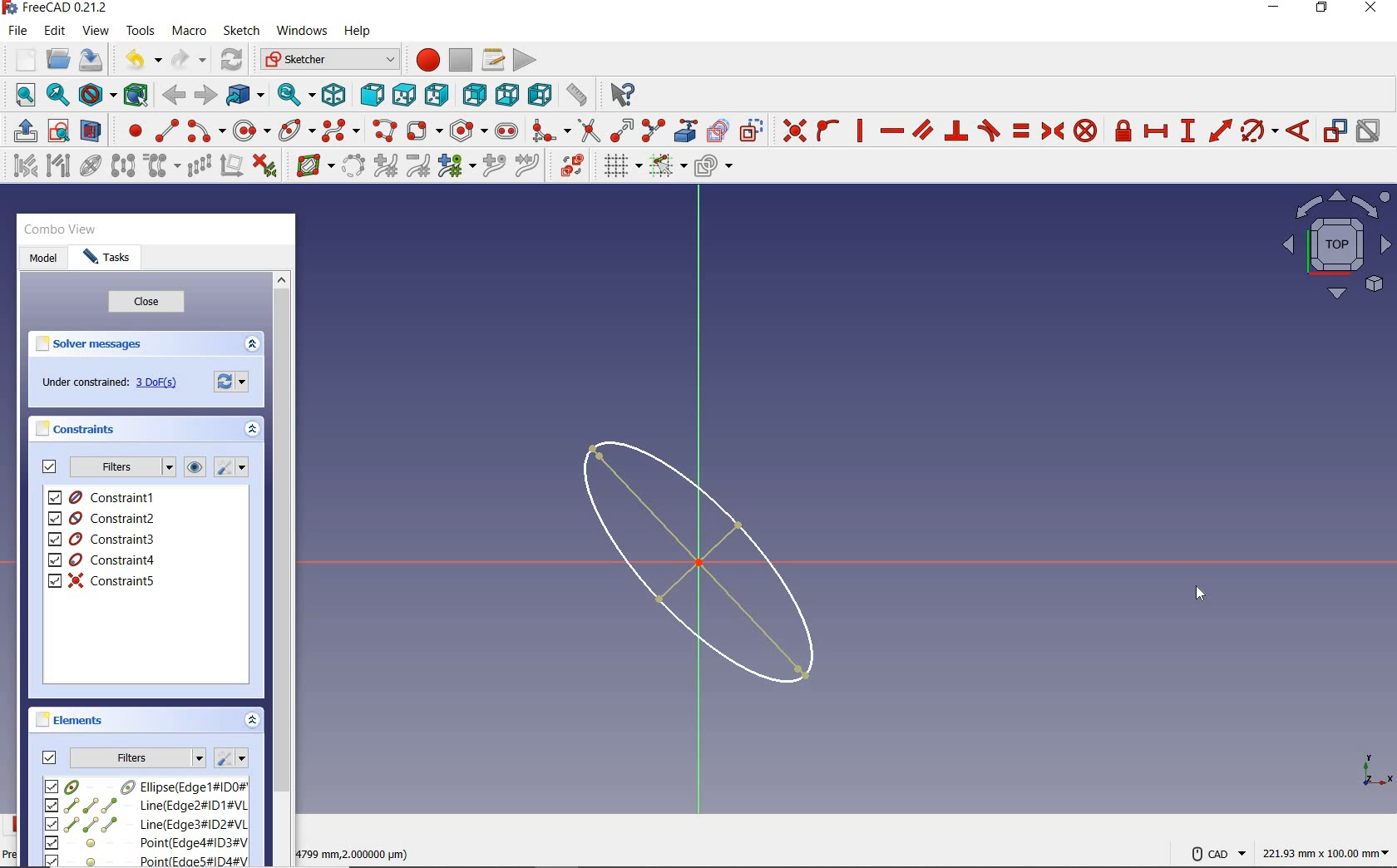  What do you see at coordinates (245, 94) in the screenshot?
I see `go to linked object` at bounding box center [245, 94].